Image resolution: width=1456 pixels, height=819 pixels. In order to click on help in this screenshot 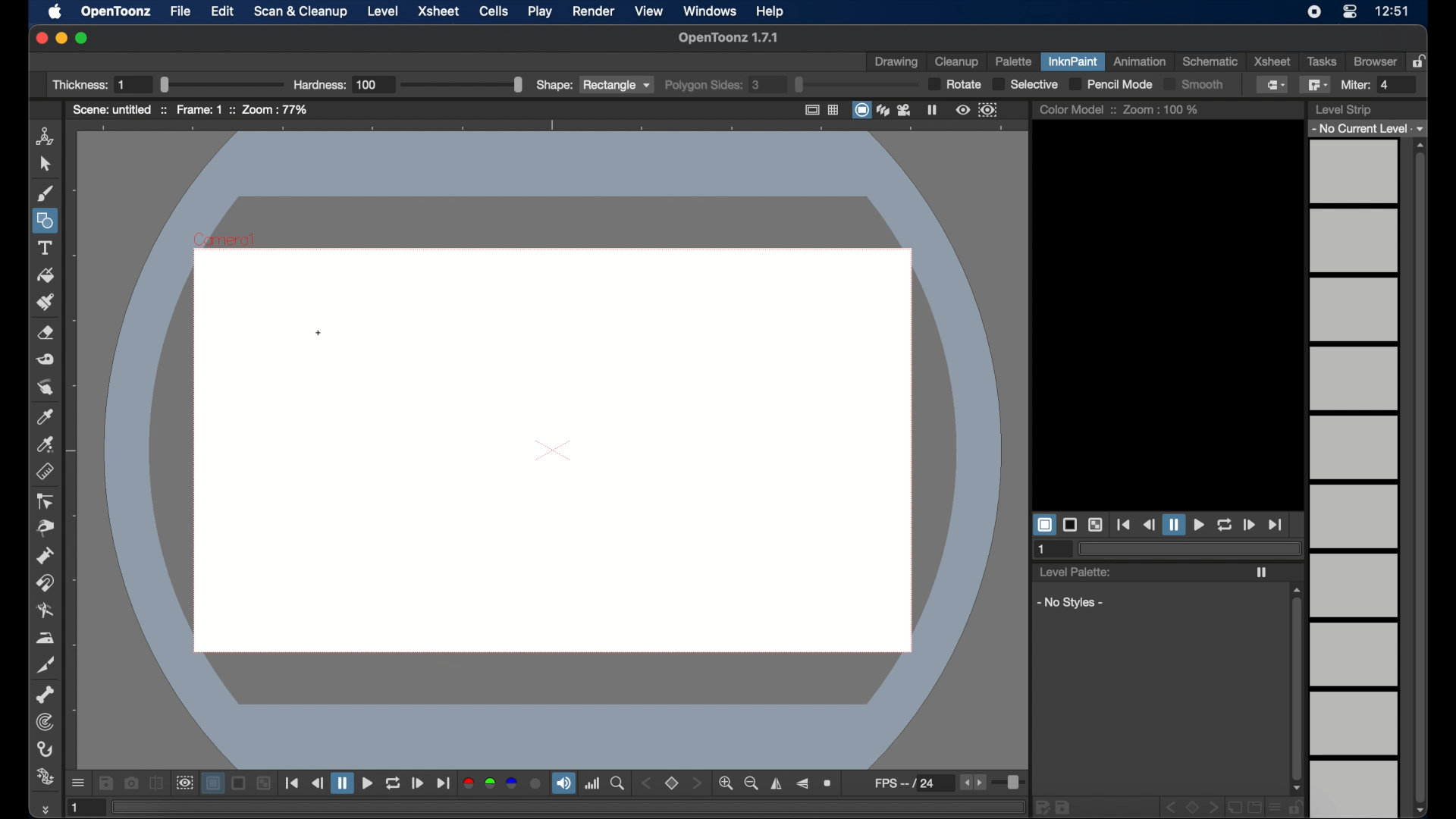, I will do `click(770, 11)`.